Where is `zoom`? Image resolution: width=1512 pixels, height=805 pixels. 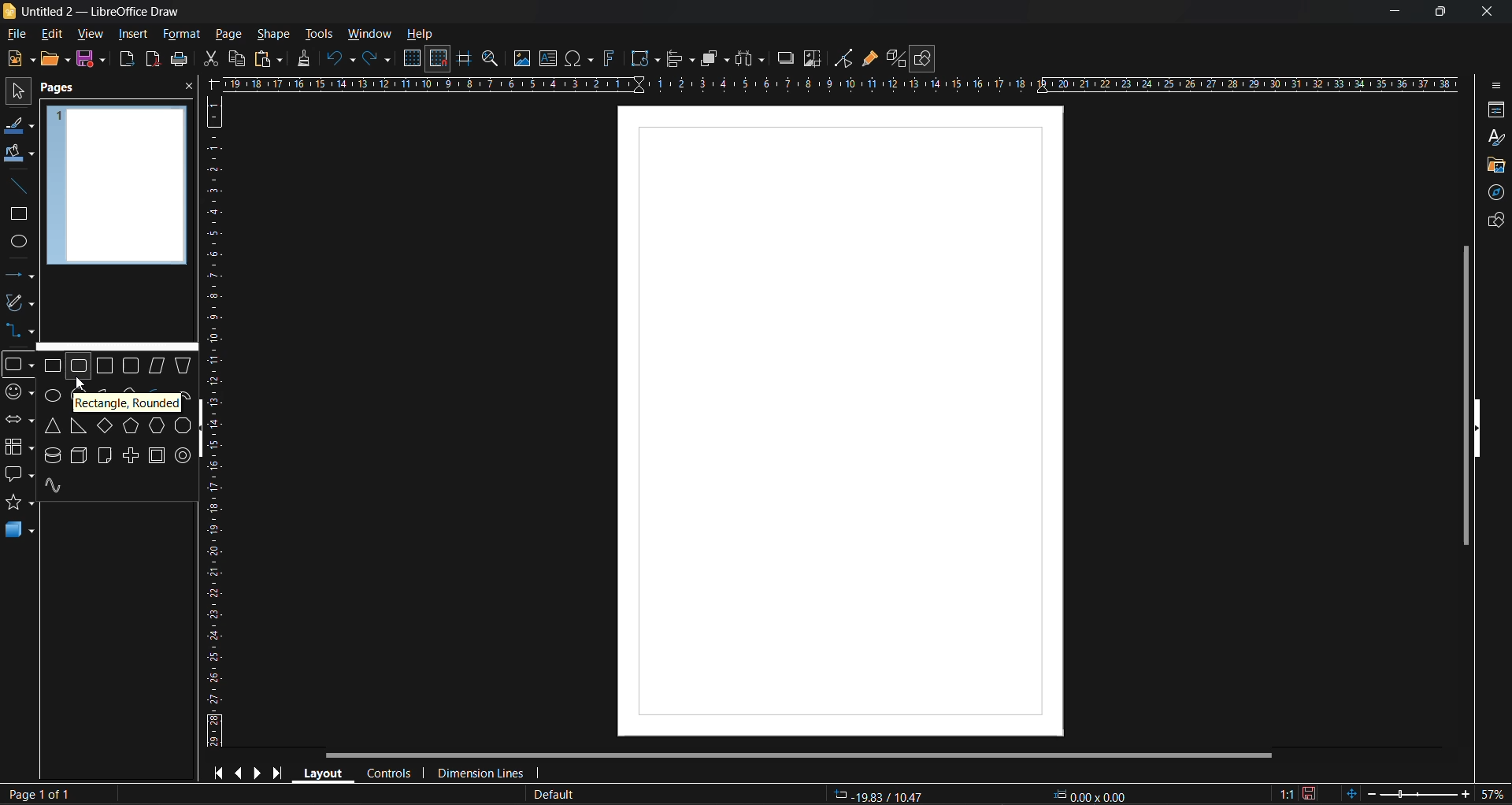 zoom is located at coordinates (492, 61).